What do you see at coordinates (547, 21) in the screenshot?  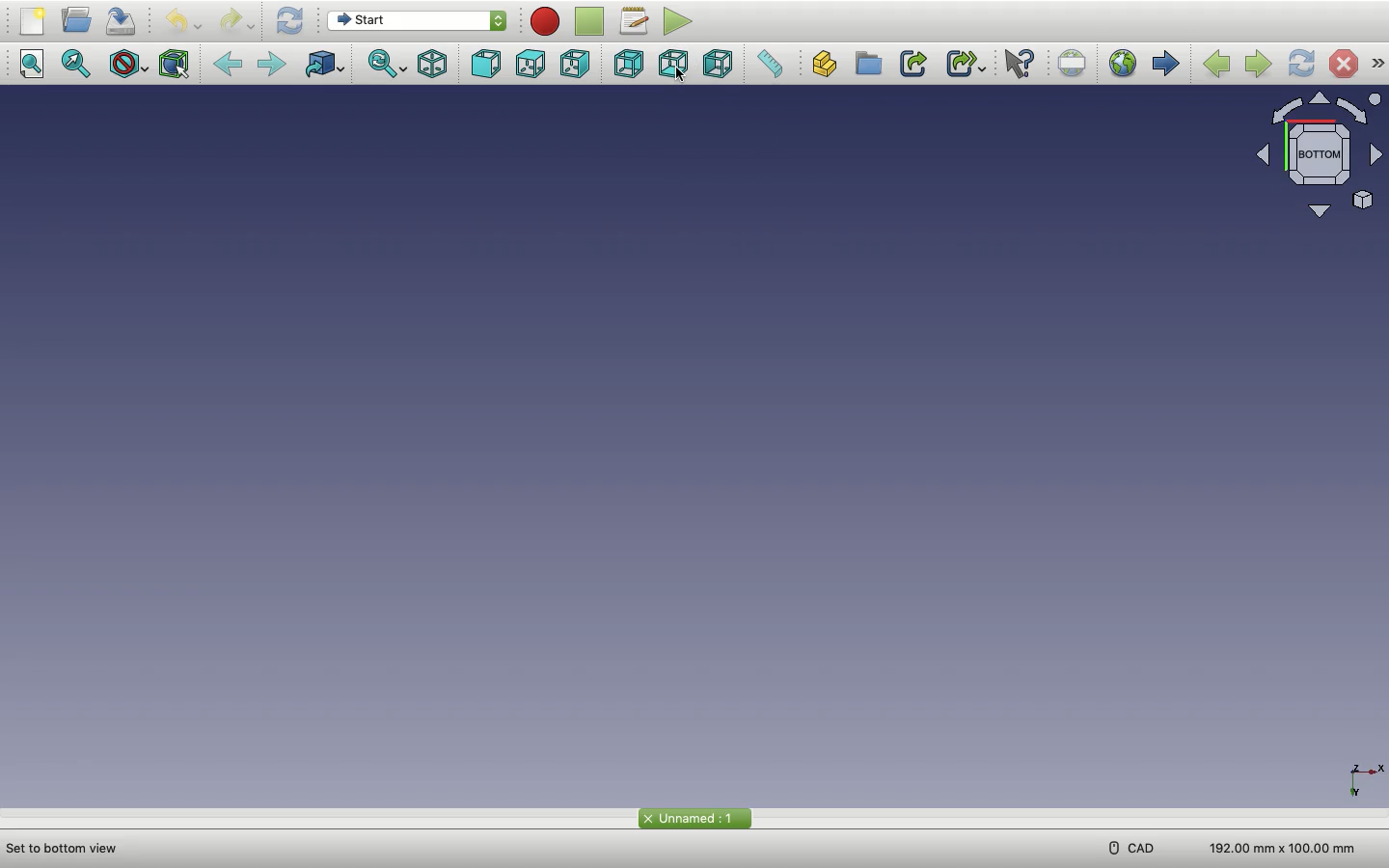 I see `Macro recording` at bounding box center [547, 21].